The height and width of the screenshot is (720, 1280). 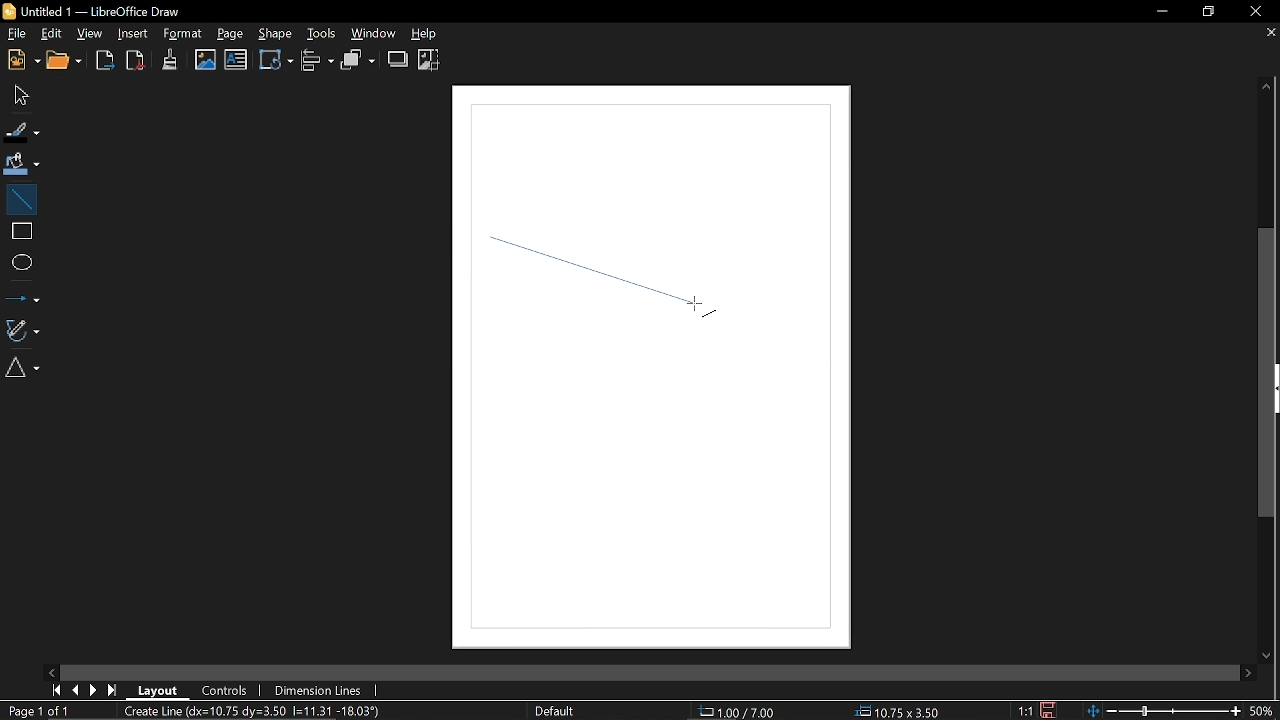 I want to click on Page, so click(x=232, y=36).